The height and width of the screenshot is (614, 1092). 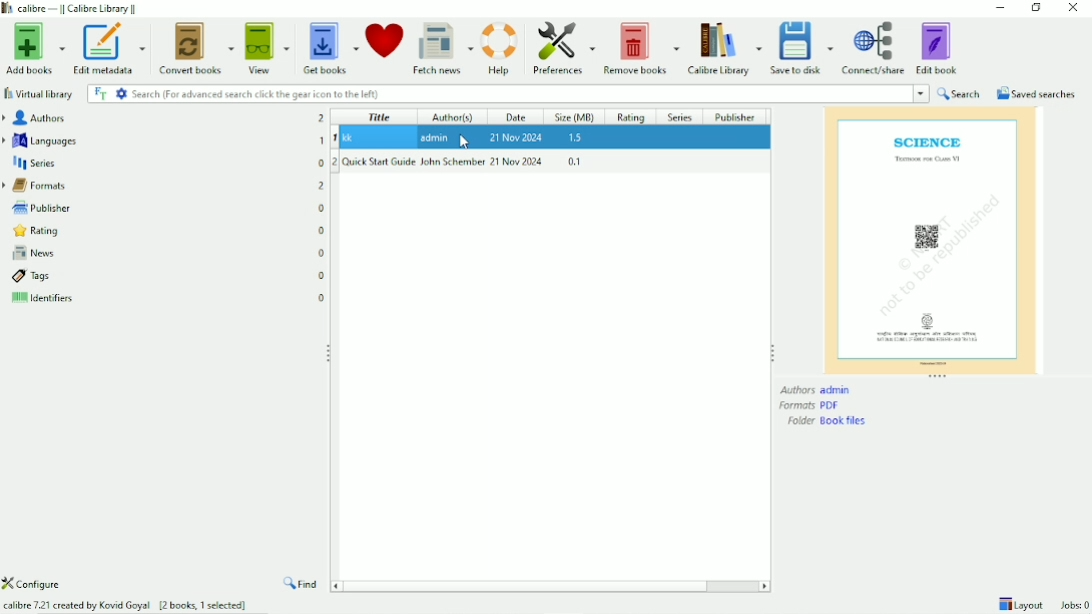 I want to click on Authors, so click(x=165, y=118).